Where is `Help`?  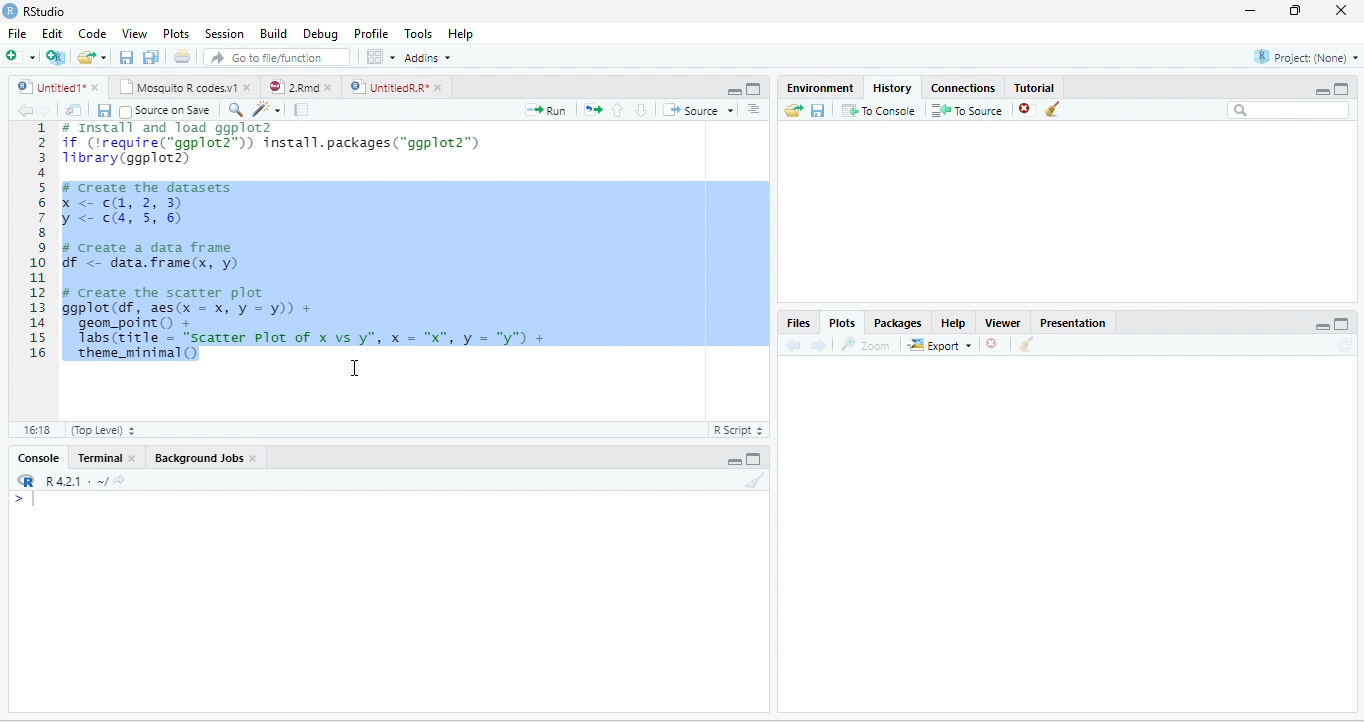
Help is located at coordinates (462, 33).